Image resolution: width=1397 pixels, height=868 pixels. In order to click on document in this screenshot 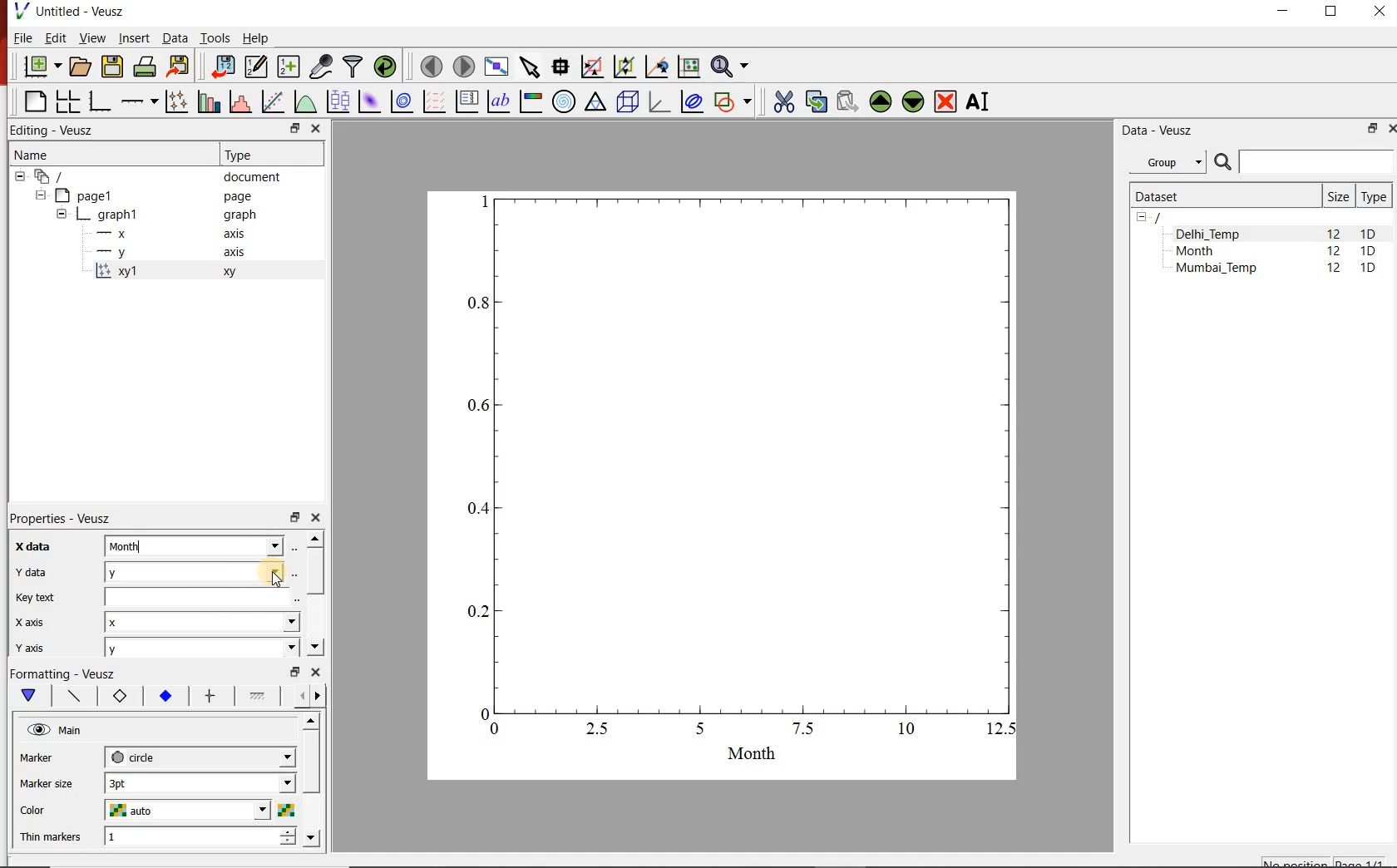, I will do `click(151, 175)`.